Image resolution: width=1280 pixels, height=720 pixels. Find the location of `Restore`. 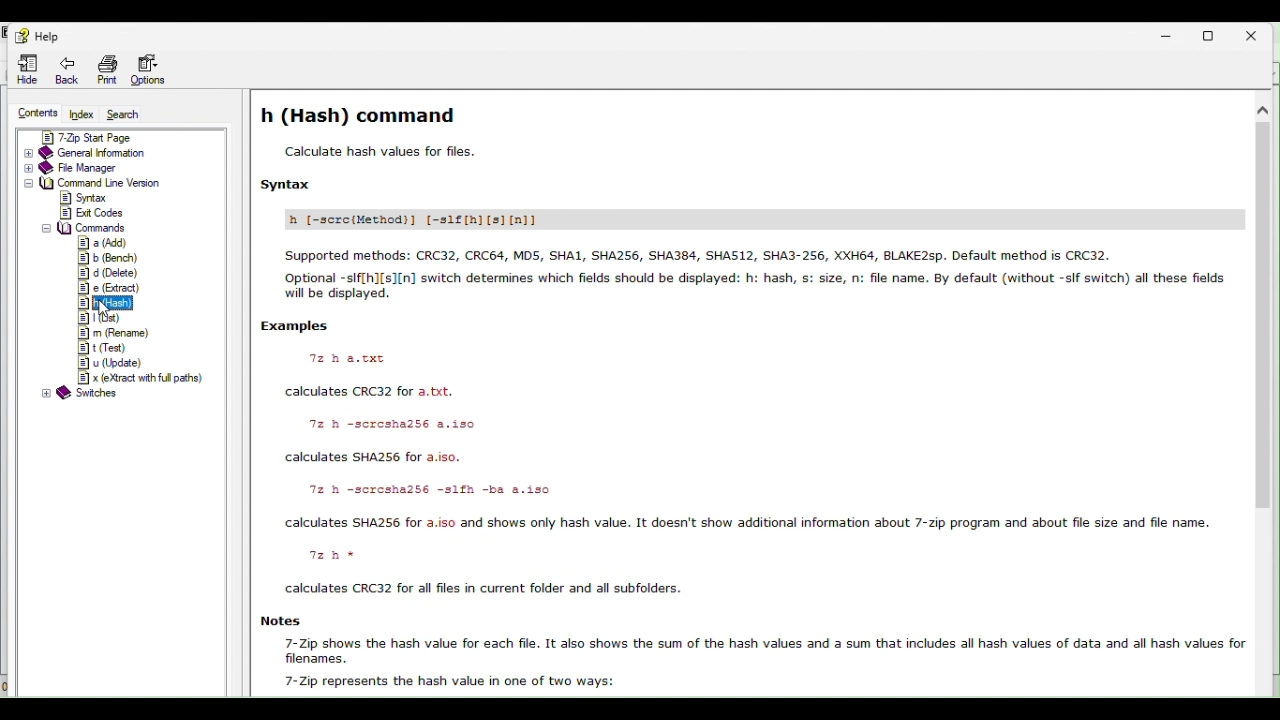

Restore is located at coordinates (1215, 35).